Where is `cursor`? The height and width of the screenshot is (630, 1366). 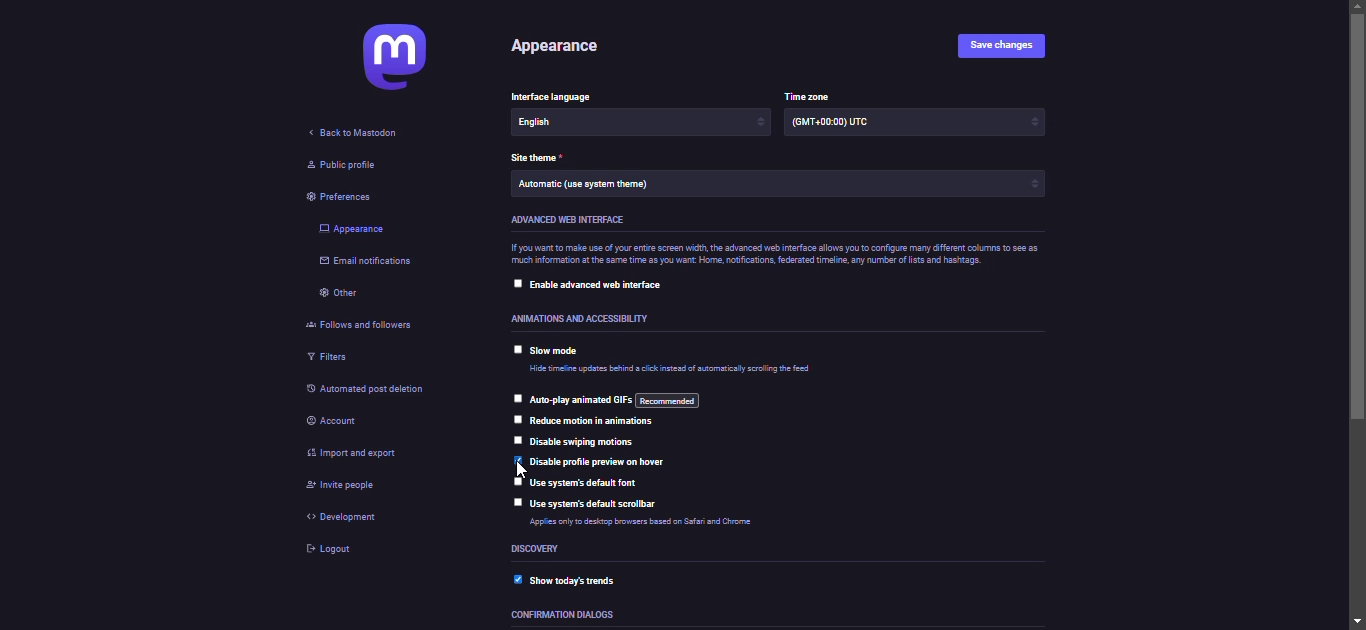 cursor is located at coordinates (517, 472).